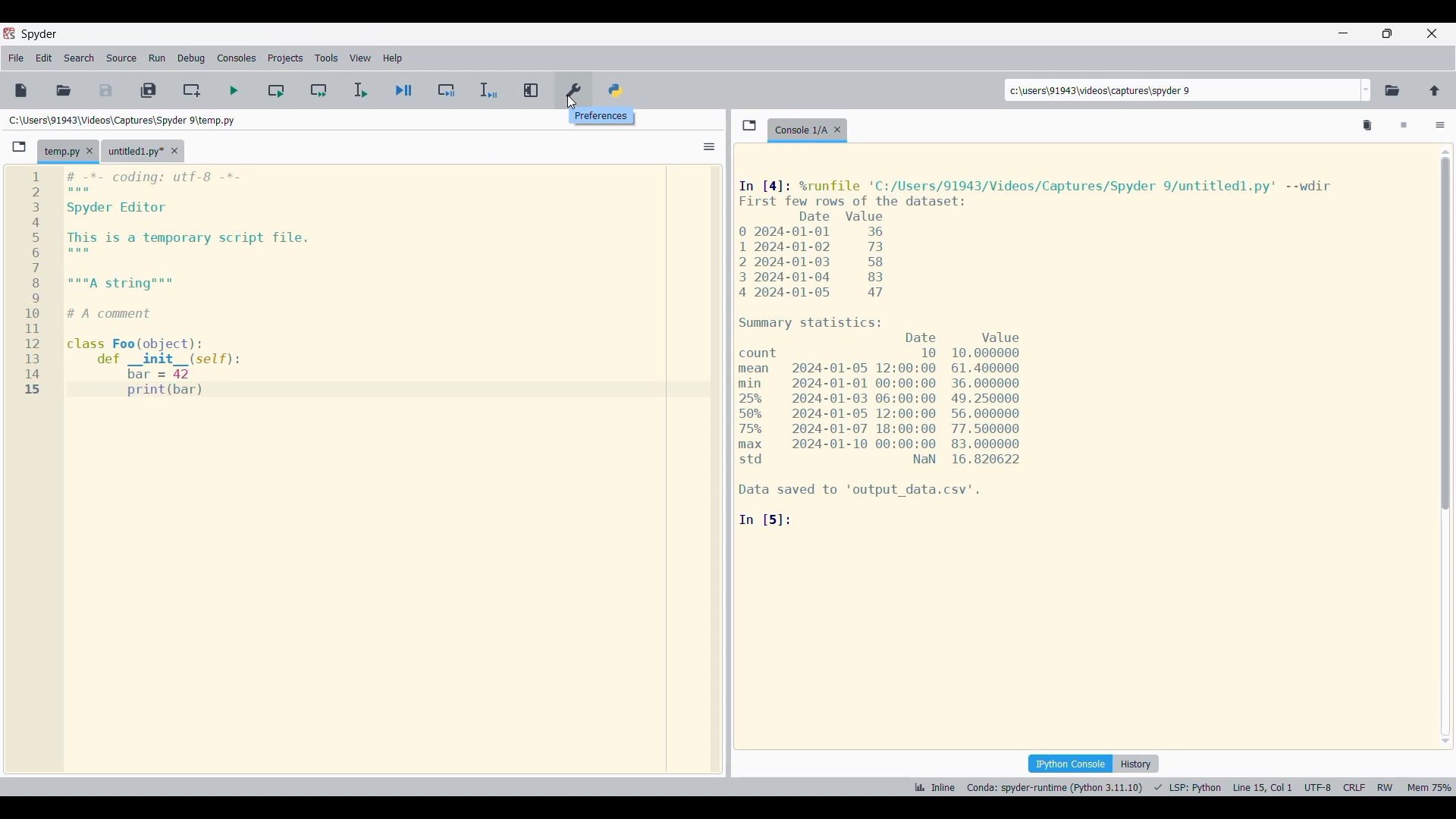 Image resolution: width=1456 pixels, height=819 pixels. What do you see at coordinates (17, 58) in the screenshot?
I see `File menu` at bounding box center [17, 58].